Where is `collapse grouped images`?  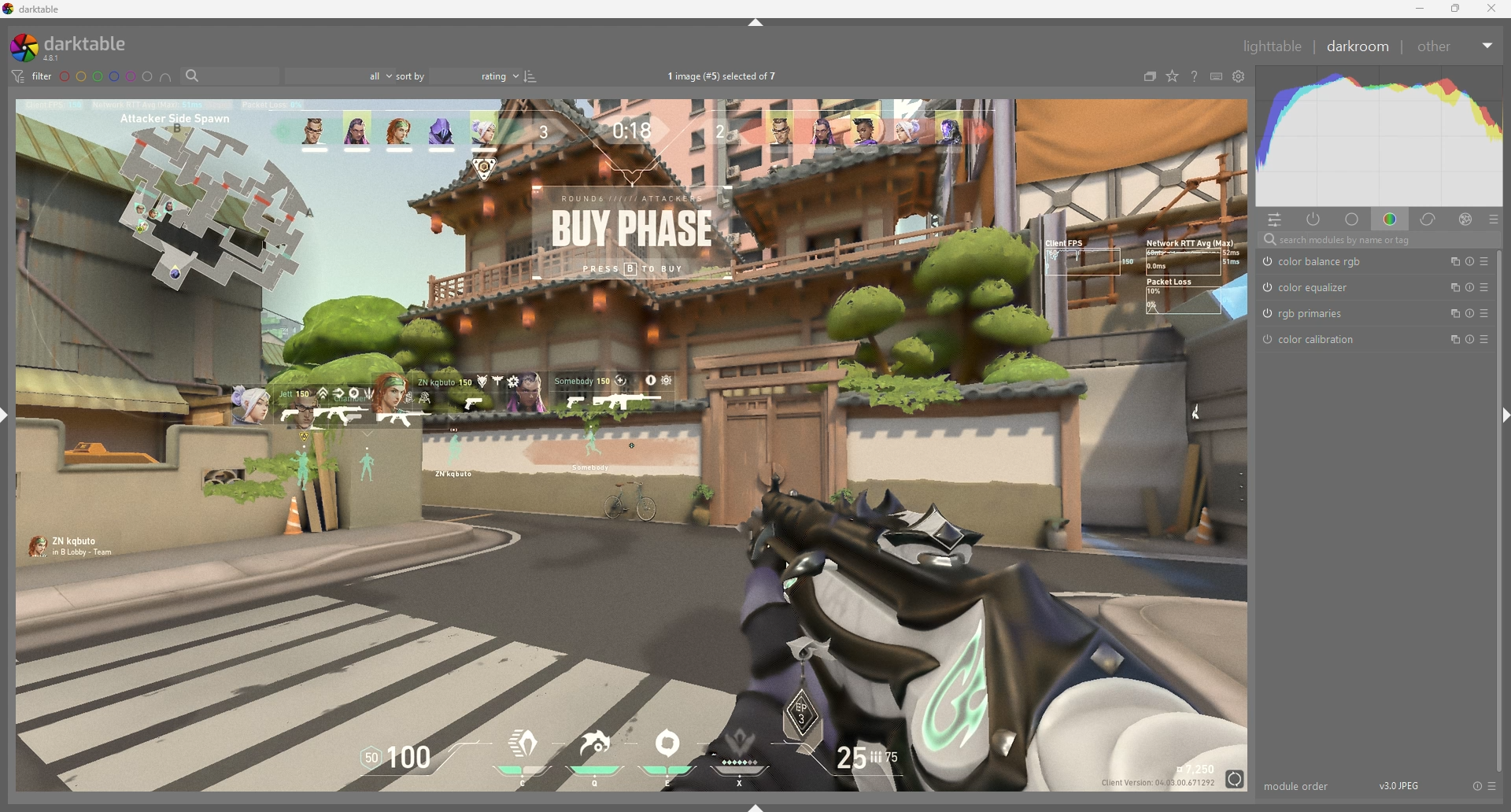
collapse grouped images is located at coordinates (1149, 76).